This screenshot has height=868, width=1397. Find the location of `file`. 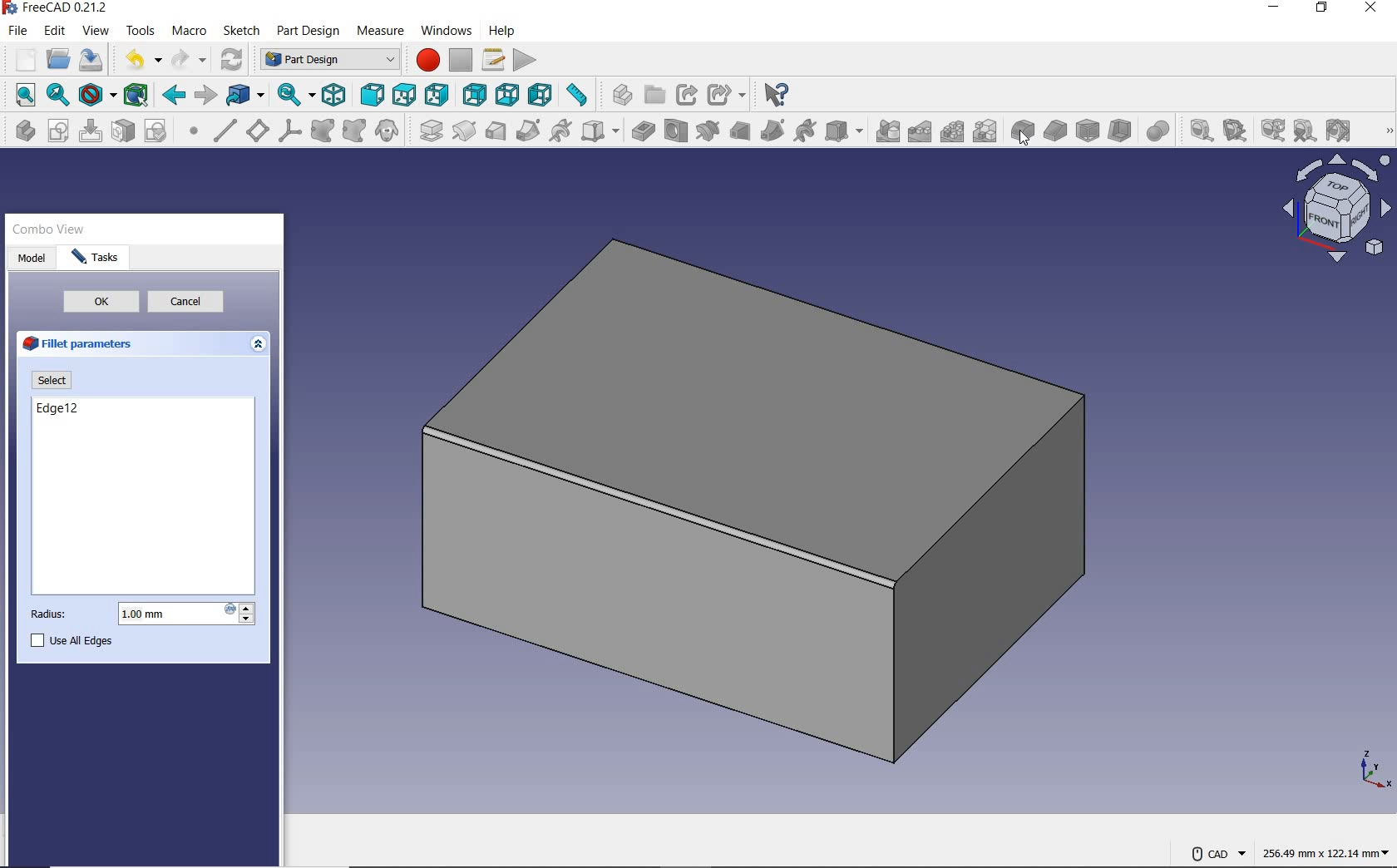

file is located at coordinates (19, 32).